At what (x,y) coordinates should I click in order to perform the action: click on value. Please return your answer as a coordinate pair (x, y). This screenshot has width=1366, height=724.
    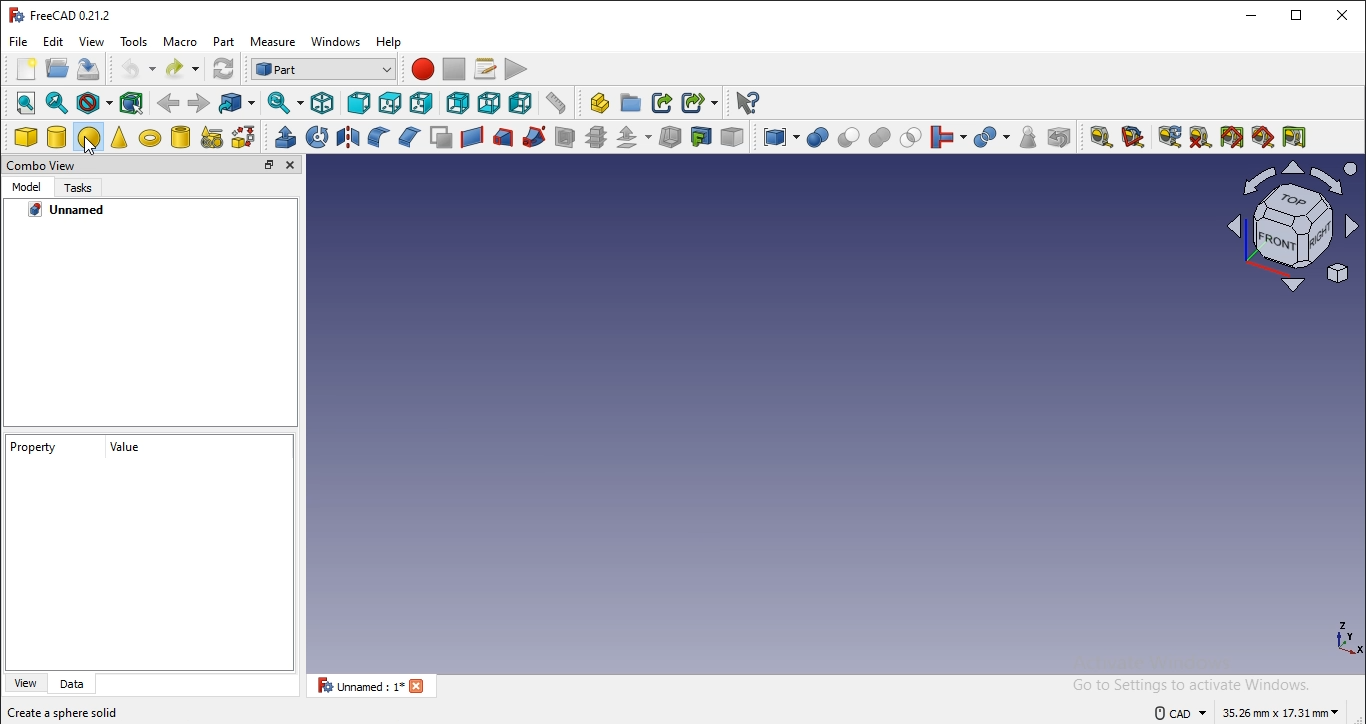
    Looking at the image, I should click on (126, 448).